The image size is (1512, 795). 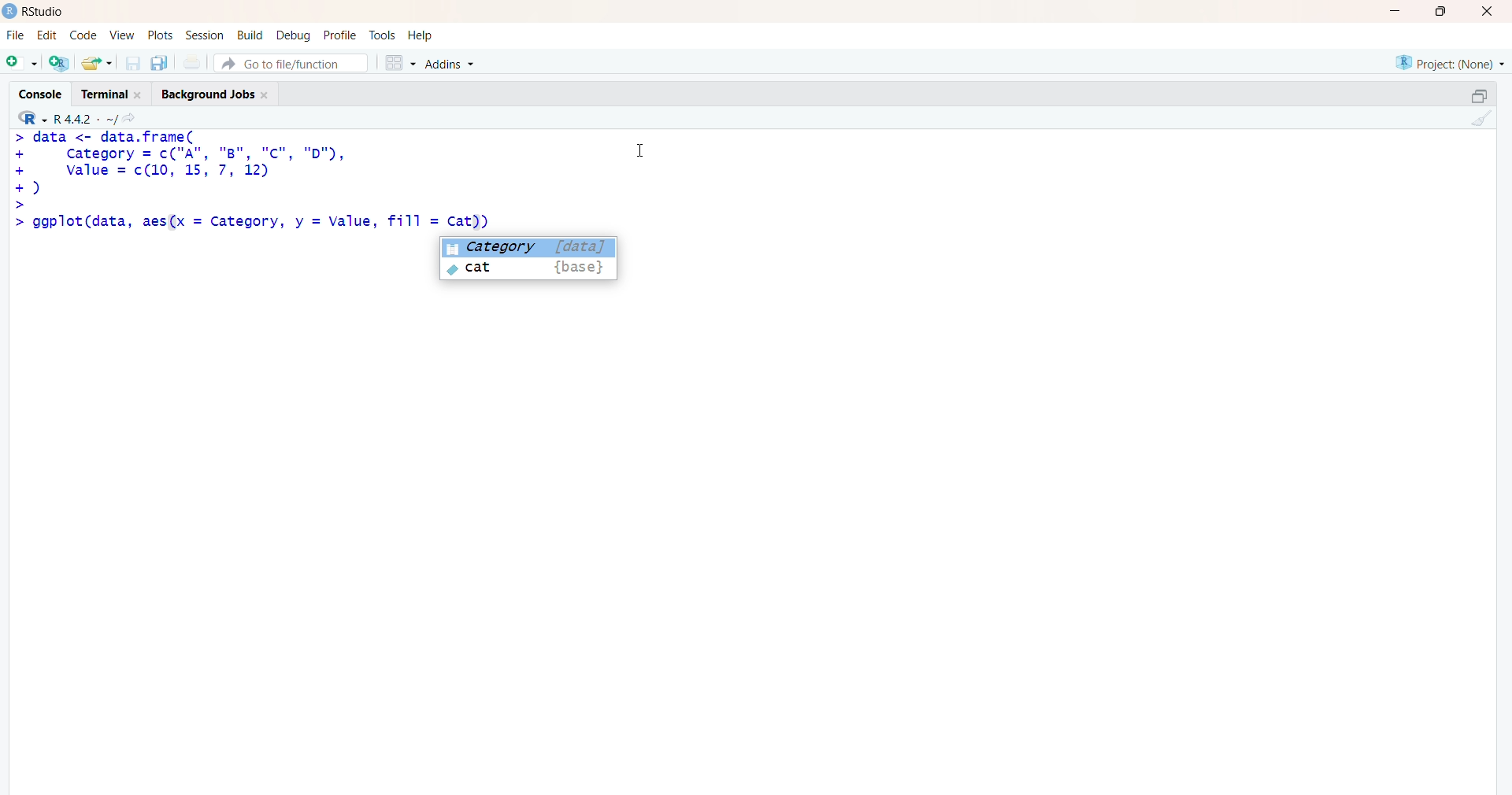 I want to click on Cursor, so click(x=641, y=148).